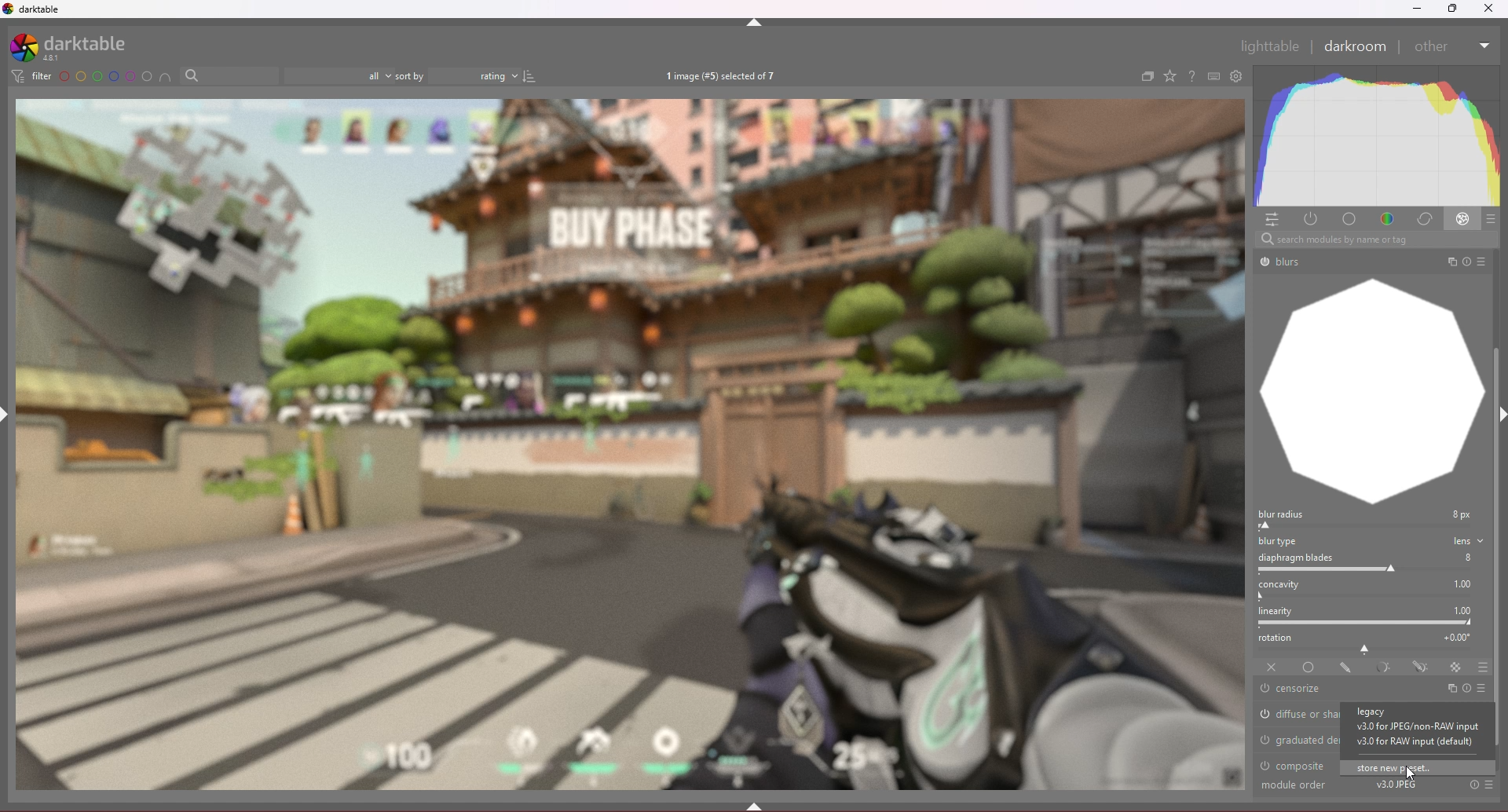 This screenshot has height=812, width=1508. Describe the element at coordinates (1424, 219) in the screenshot. I see `correct` at that location.